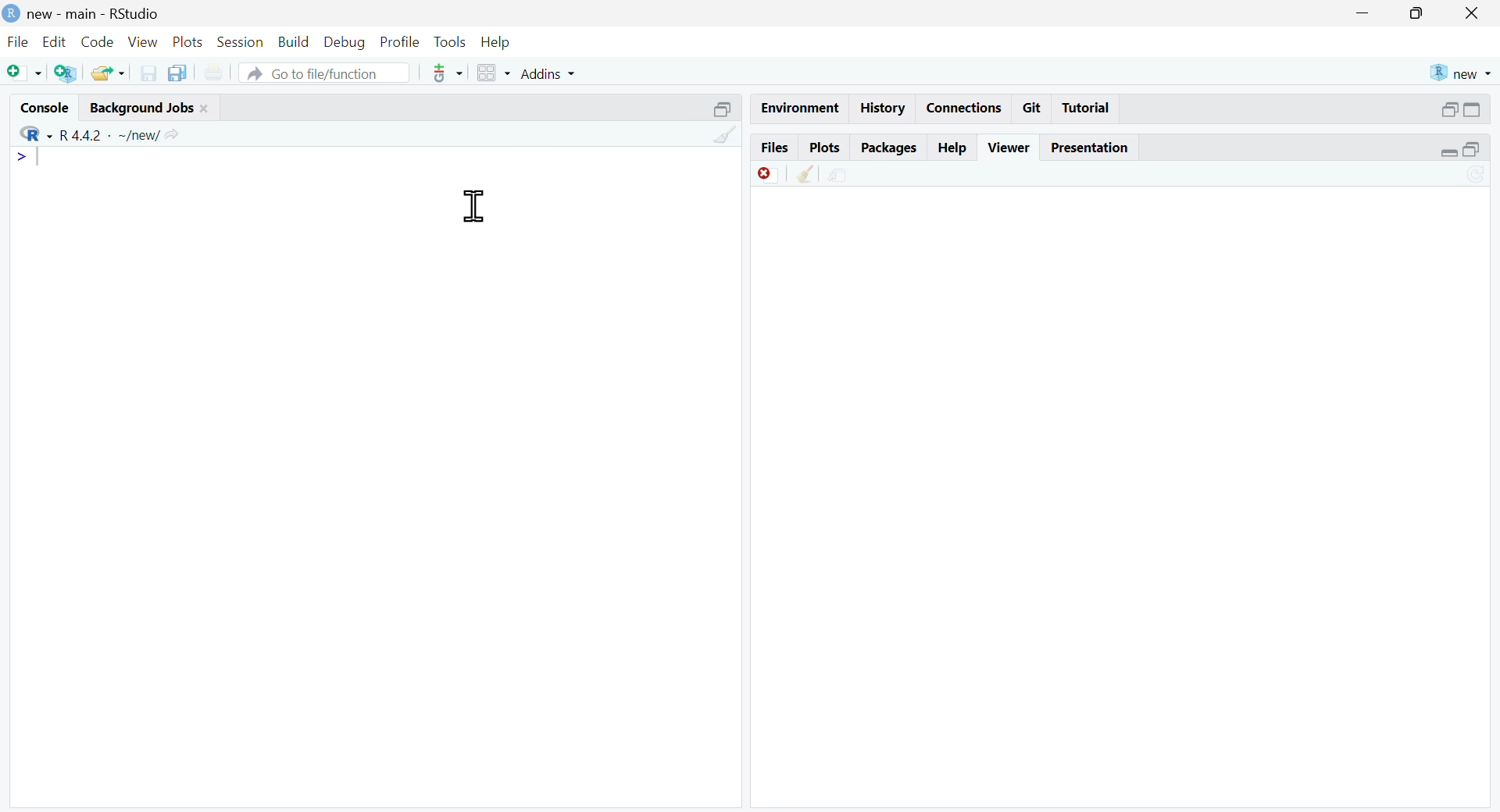  I want to click on open in separate window, so click(724, 109).